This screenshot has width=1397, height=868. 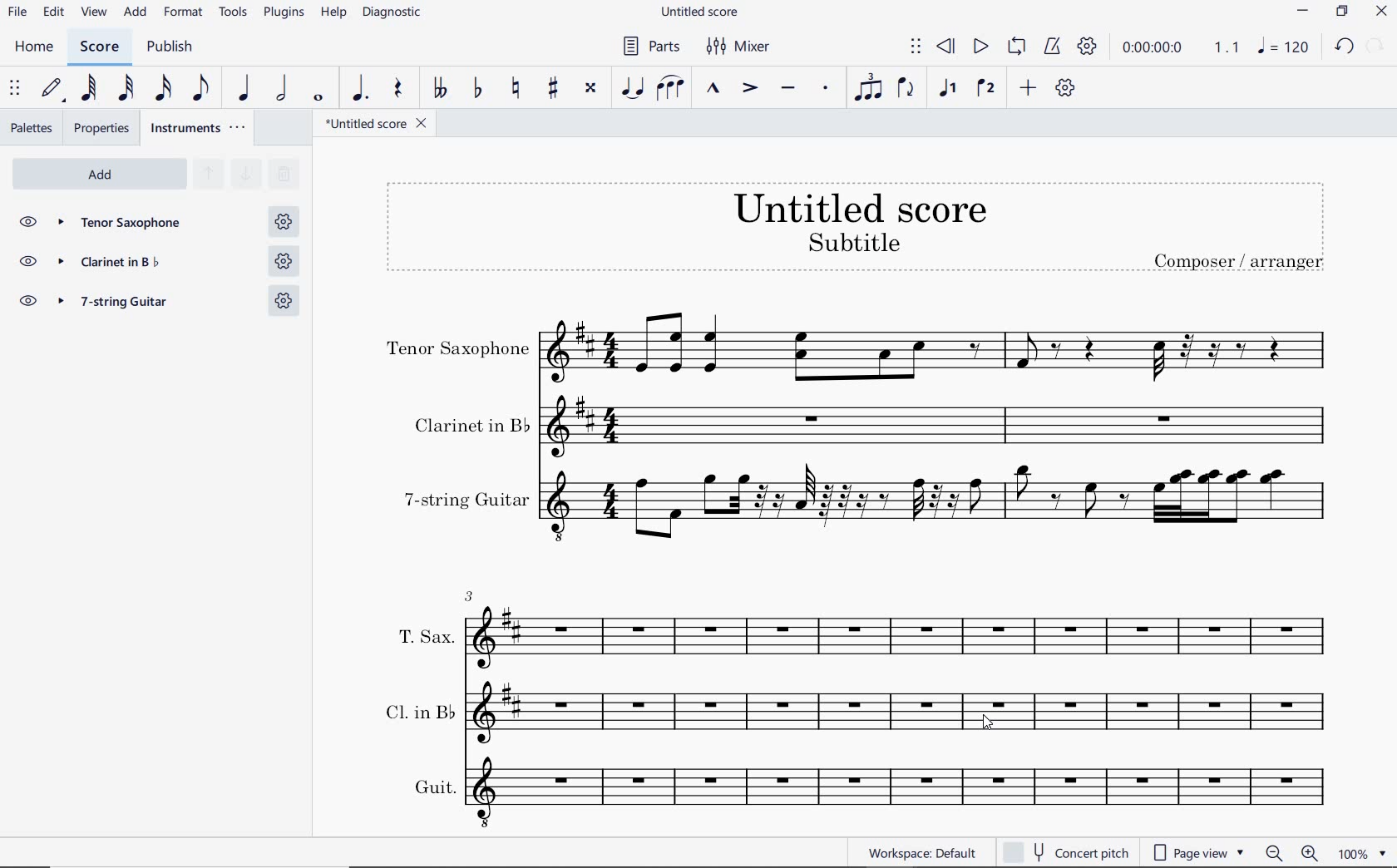 I want to click on TOGGLE-DOUBLE FLAT, so click(x=437, y=88).